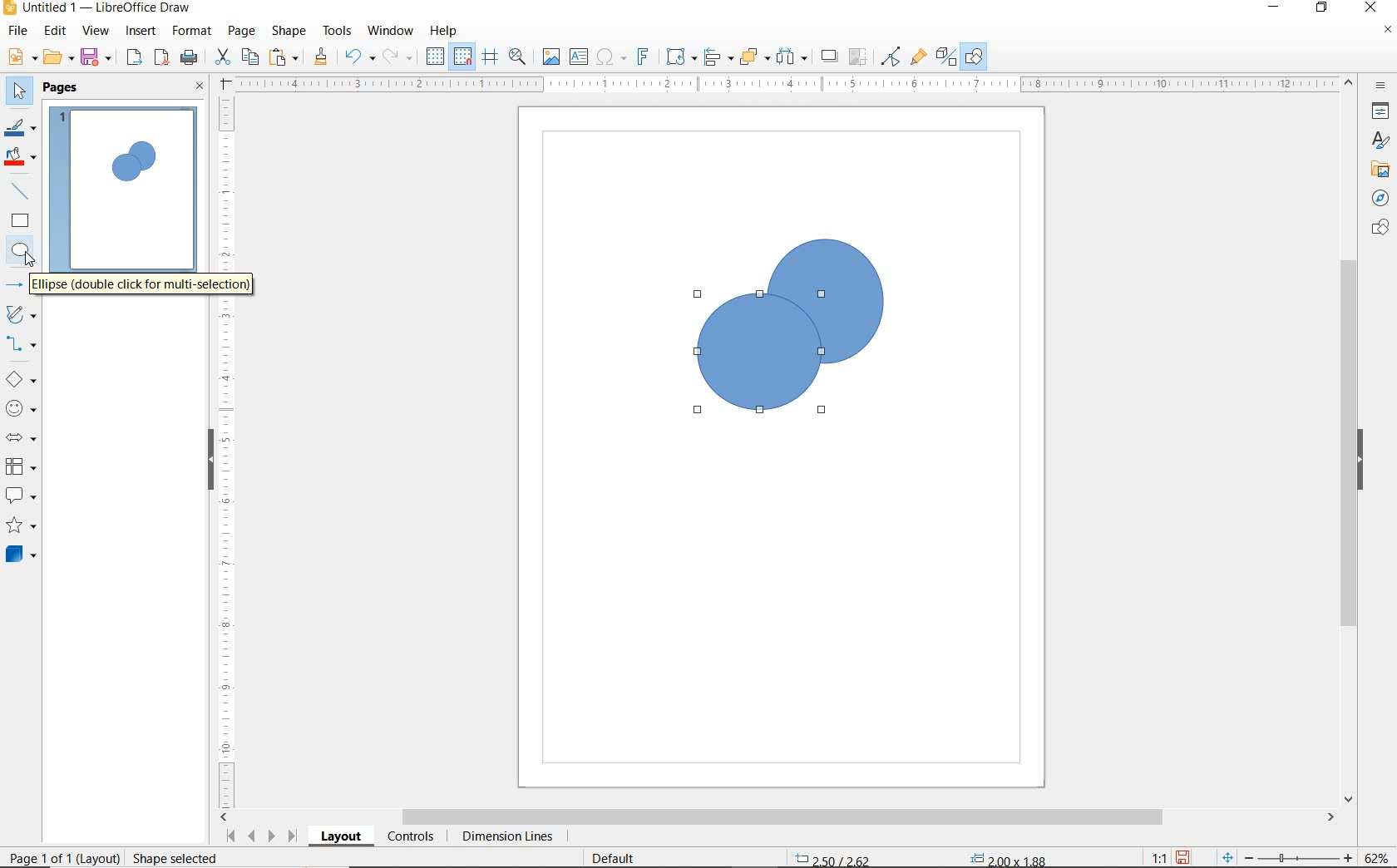 This screenshot has width=1397, height=868. What do you see at coordinates (200, 87) in the screenshot?
I see `CLOSE` at bounding box center [200, 87].